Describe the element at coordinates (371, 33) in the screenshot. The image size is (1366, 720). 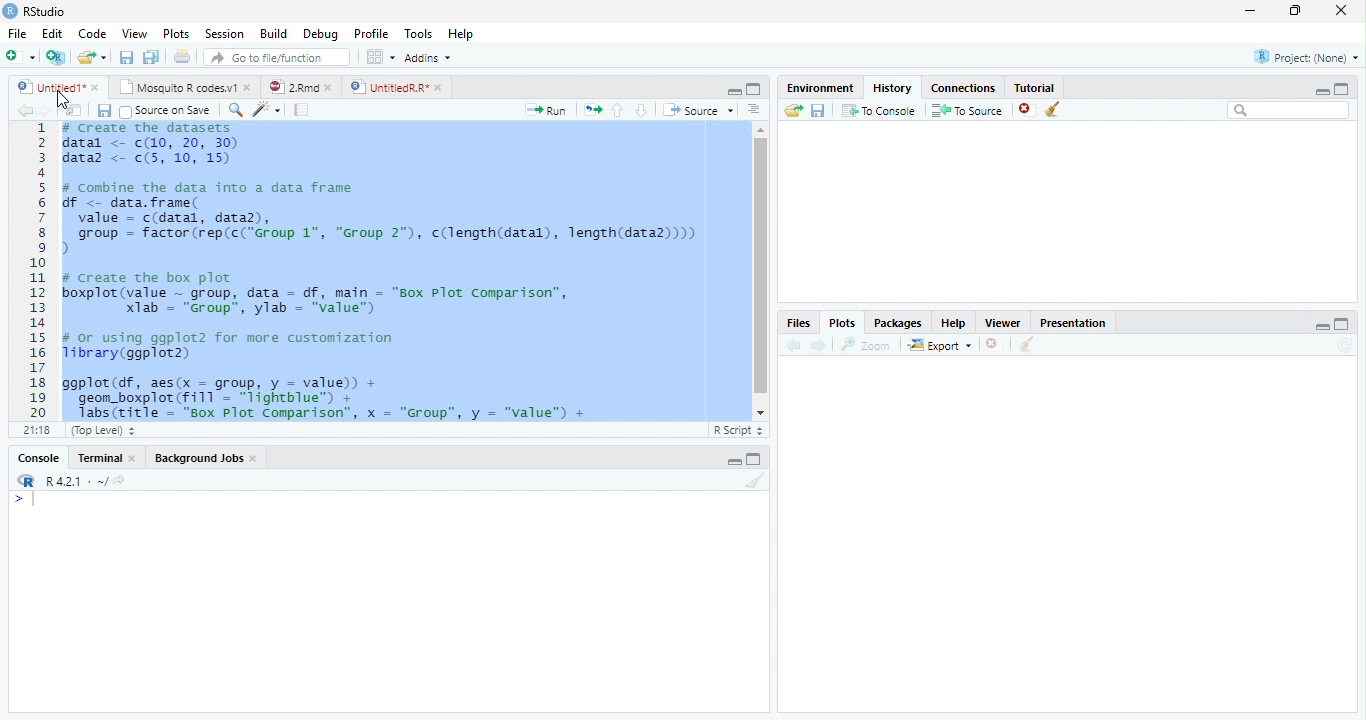
I see `Profile` at that location.